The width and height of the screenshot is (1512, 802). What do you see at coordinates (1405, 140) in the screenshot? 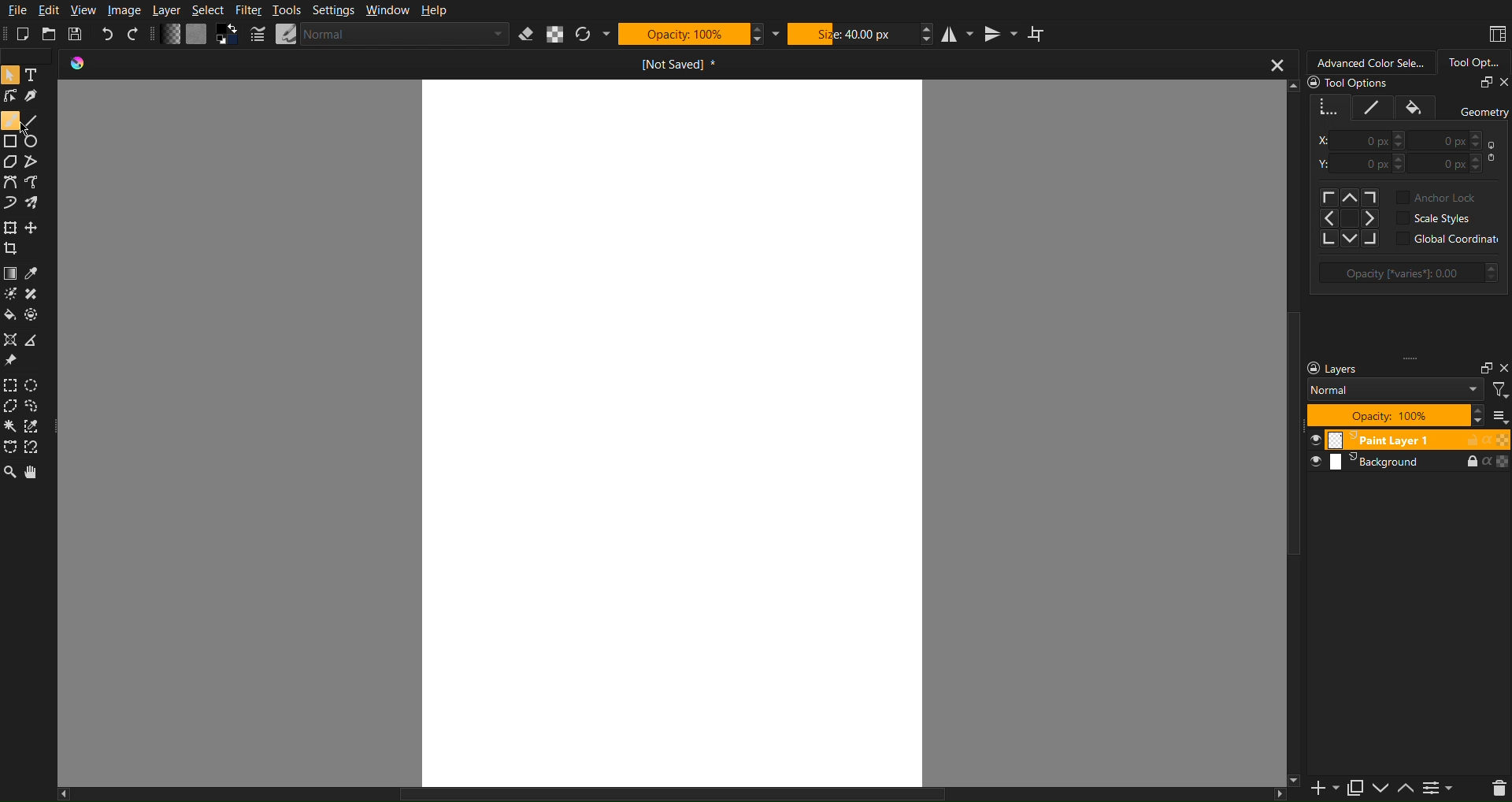
I see `X Coords` at bounding box center [1405, 140].